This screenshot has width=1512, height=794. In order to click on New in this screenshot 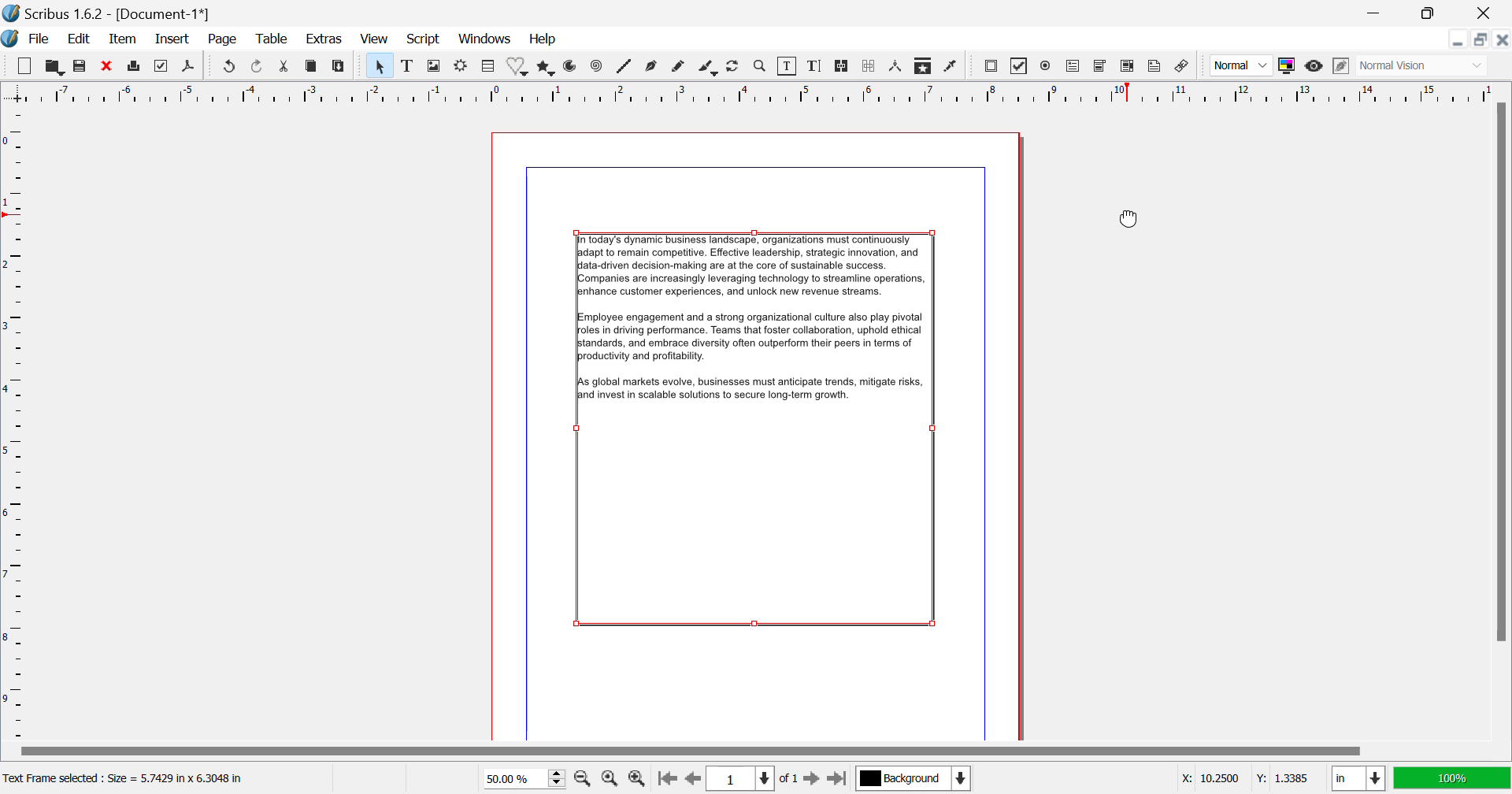, I will do `click(24, 63)`.